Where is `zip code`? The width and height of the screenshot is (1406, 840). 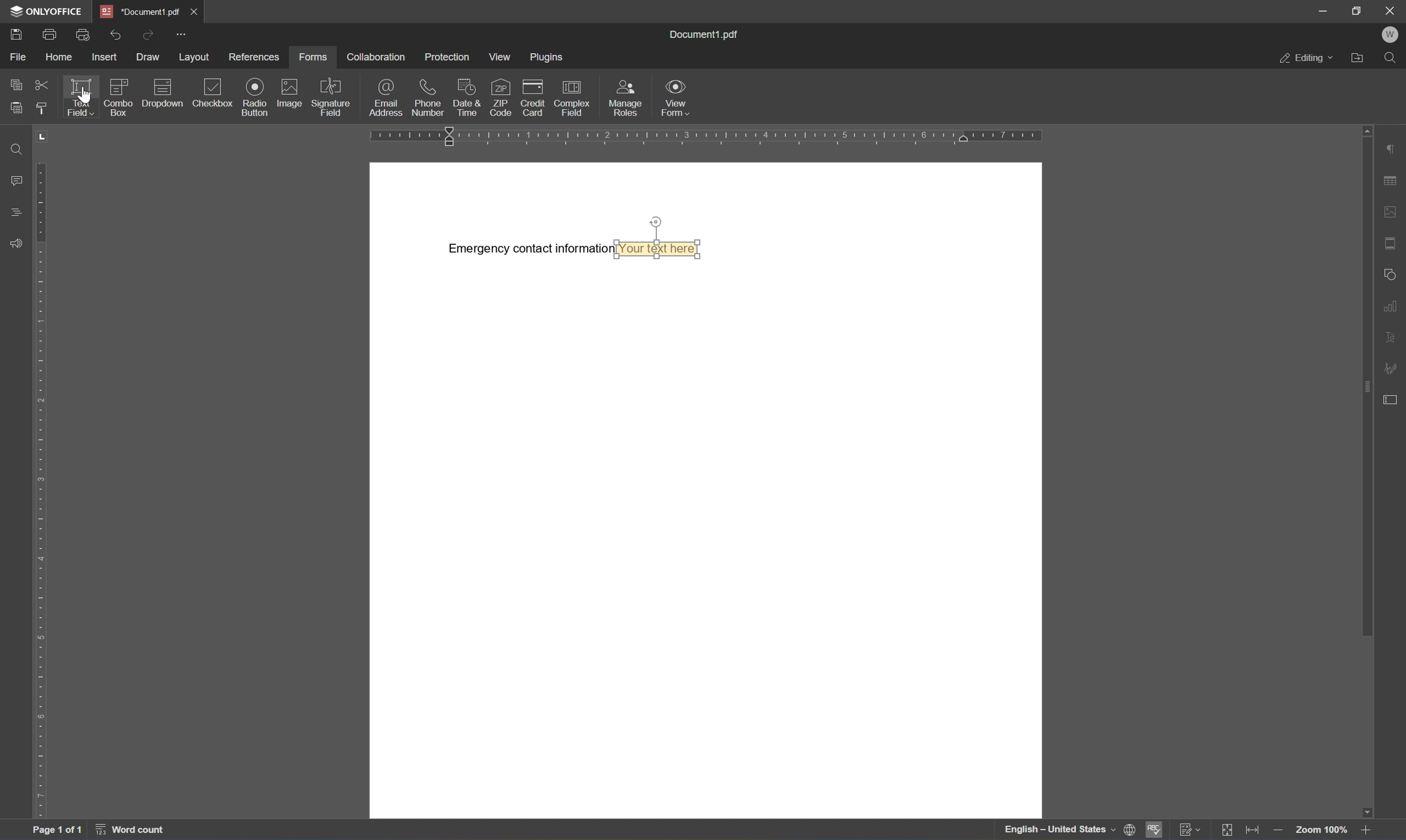
zip code is located at coordinates (502, 97).